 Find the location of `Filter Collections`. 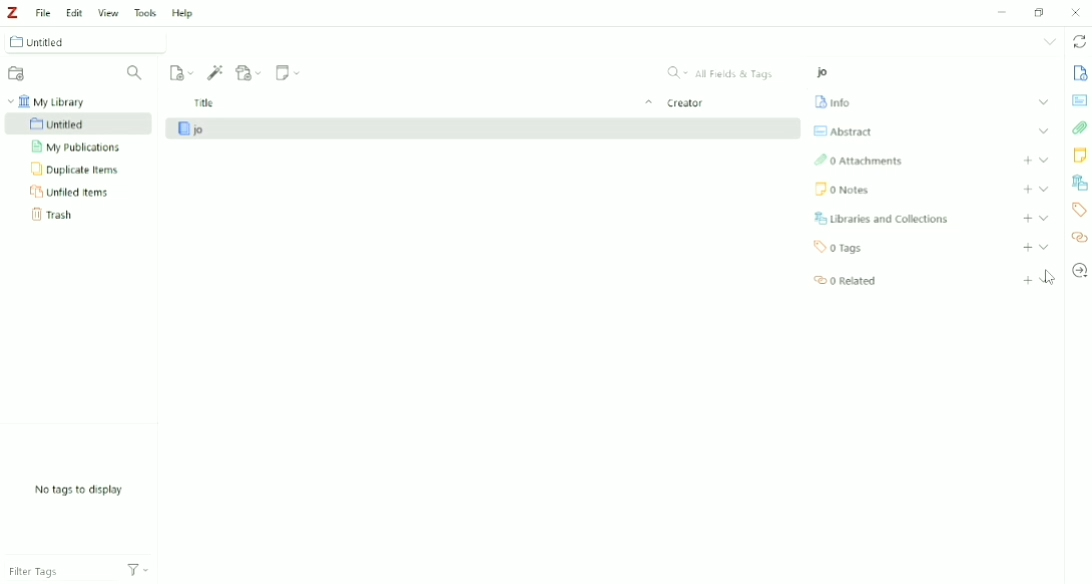

Filter Collections is located at coordinates (137, 72).